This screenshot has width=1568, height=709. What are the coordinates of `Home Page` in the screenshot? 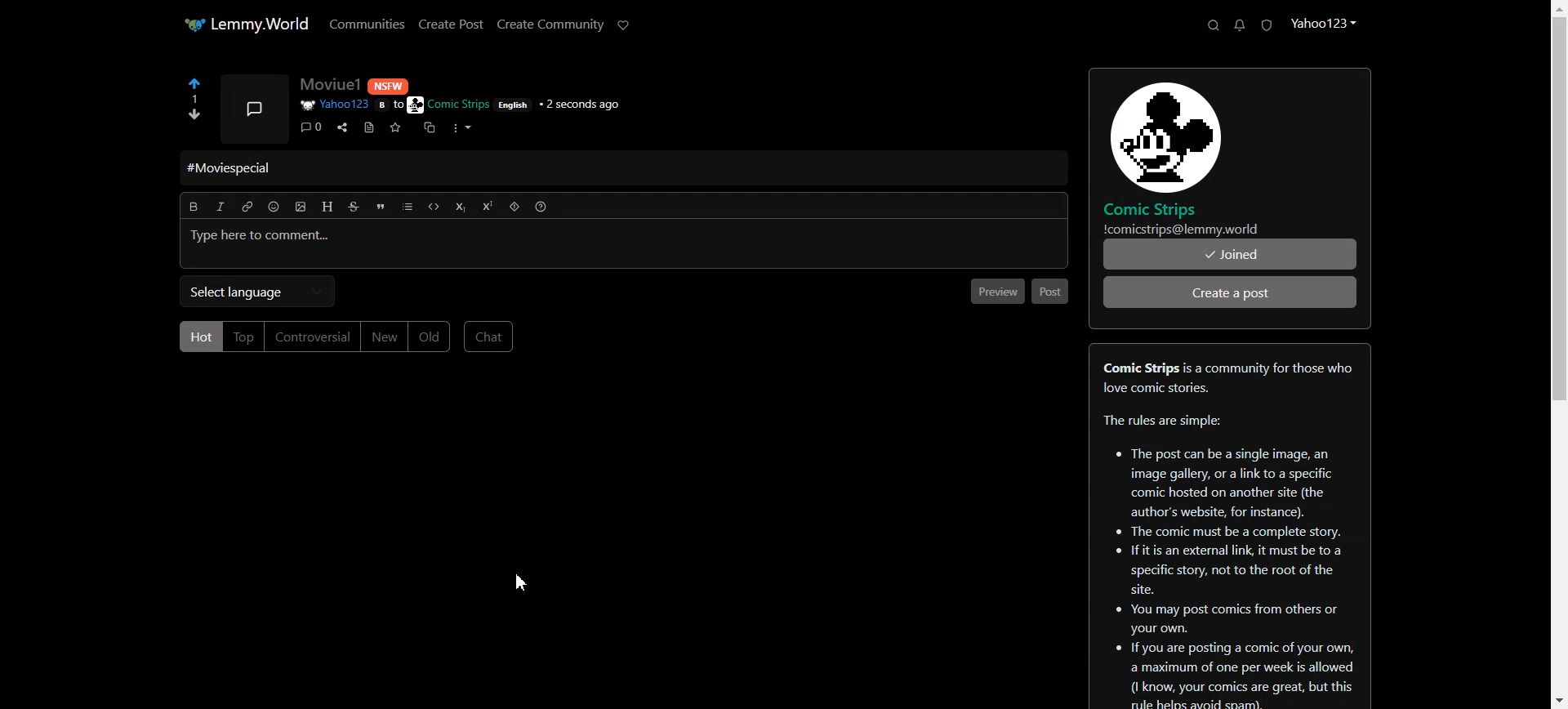 It's located at (241, 25).